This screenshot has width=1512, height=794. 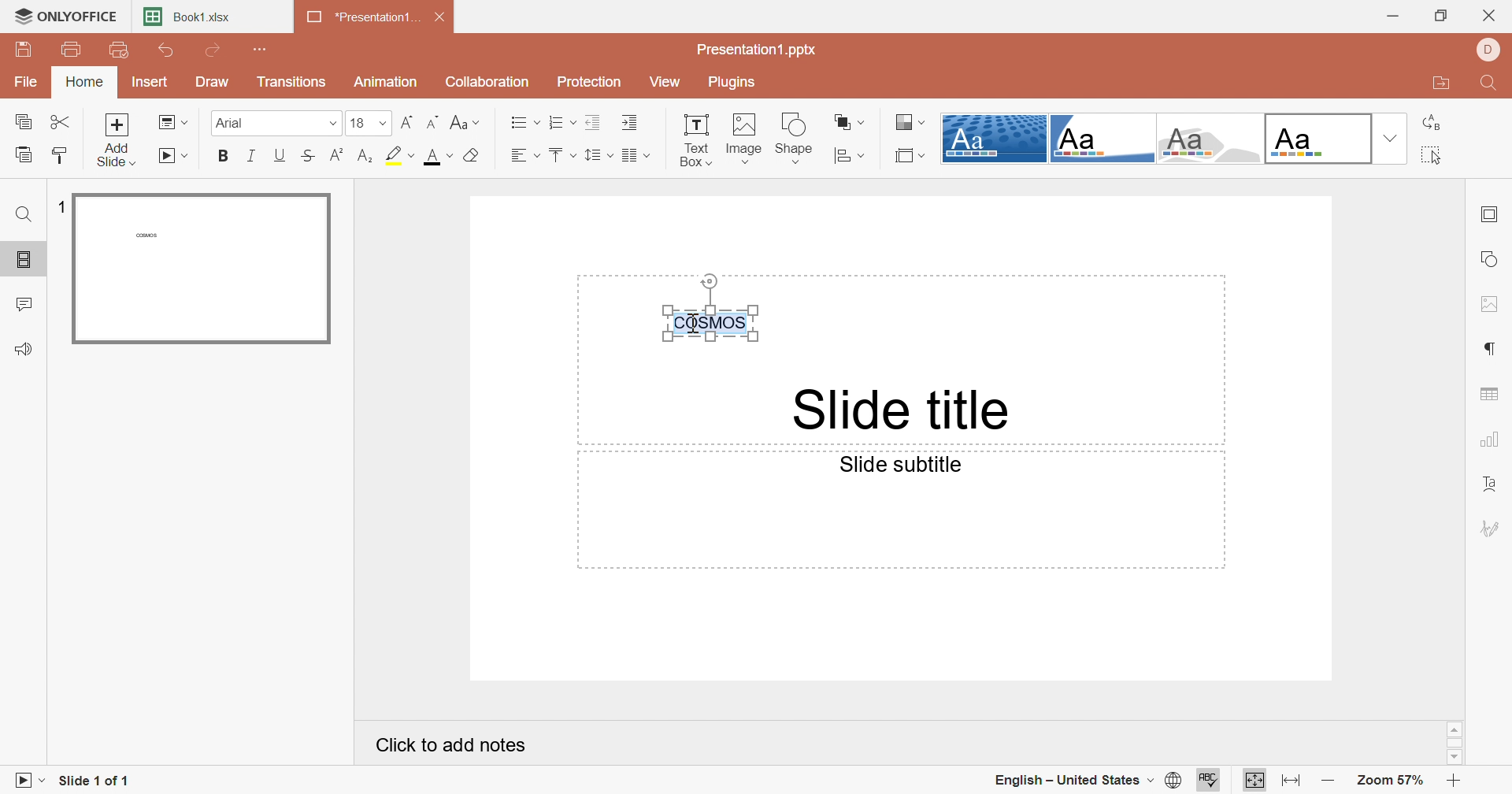 I want to click on Align shape, so click(x=850, y=156).